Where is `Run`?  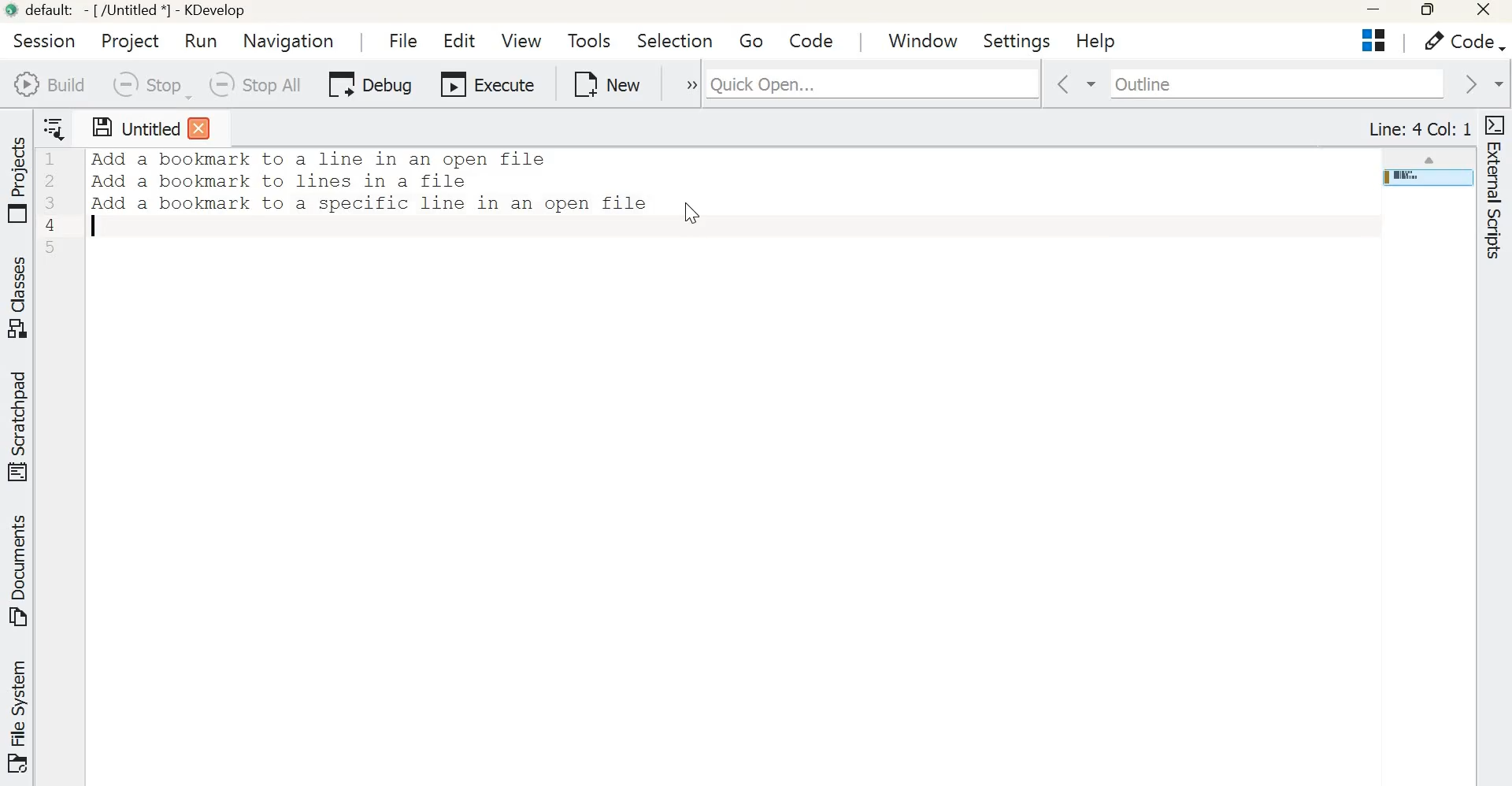
Run is located at coordinates (205, 40).